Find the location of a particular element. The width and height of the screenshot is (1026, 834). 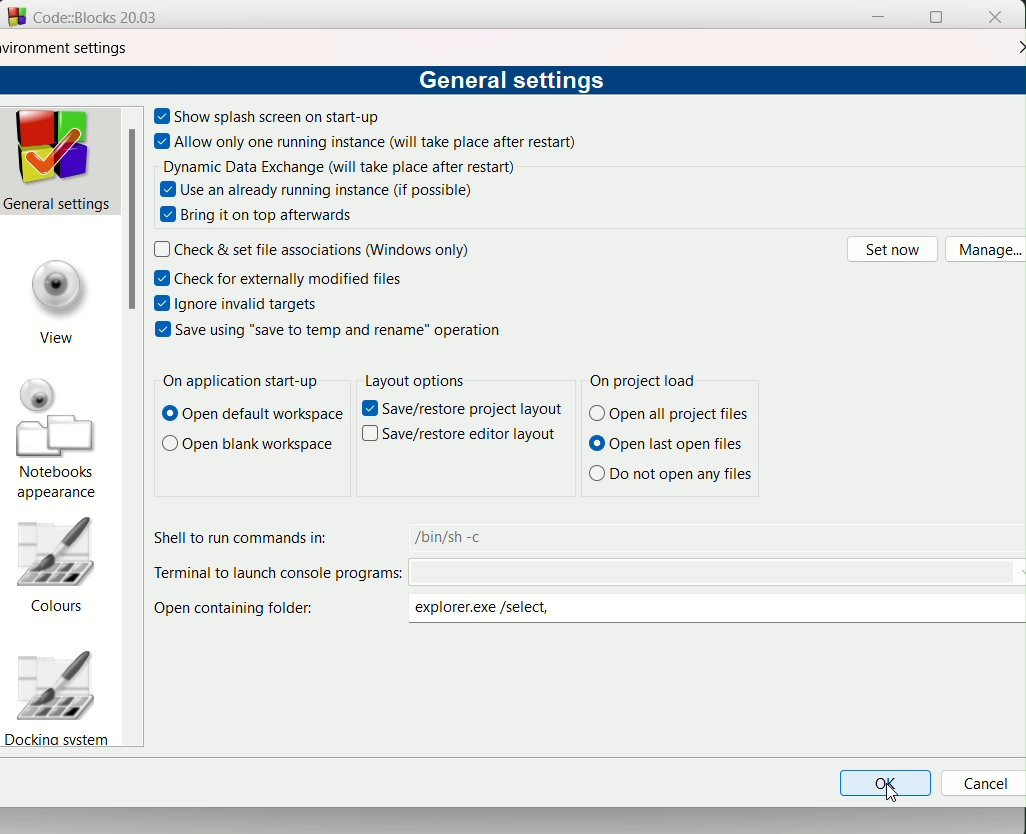

text is located at coordinates (513, 82).